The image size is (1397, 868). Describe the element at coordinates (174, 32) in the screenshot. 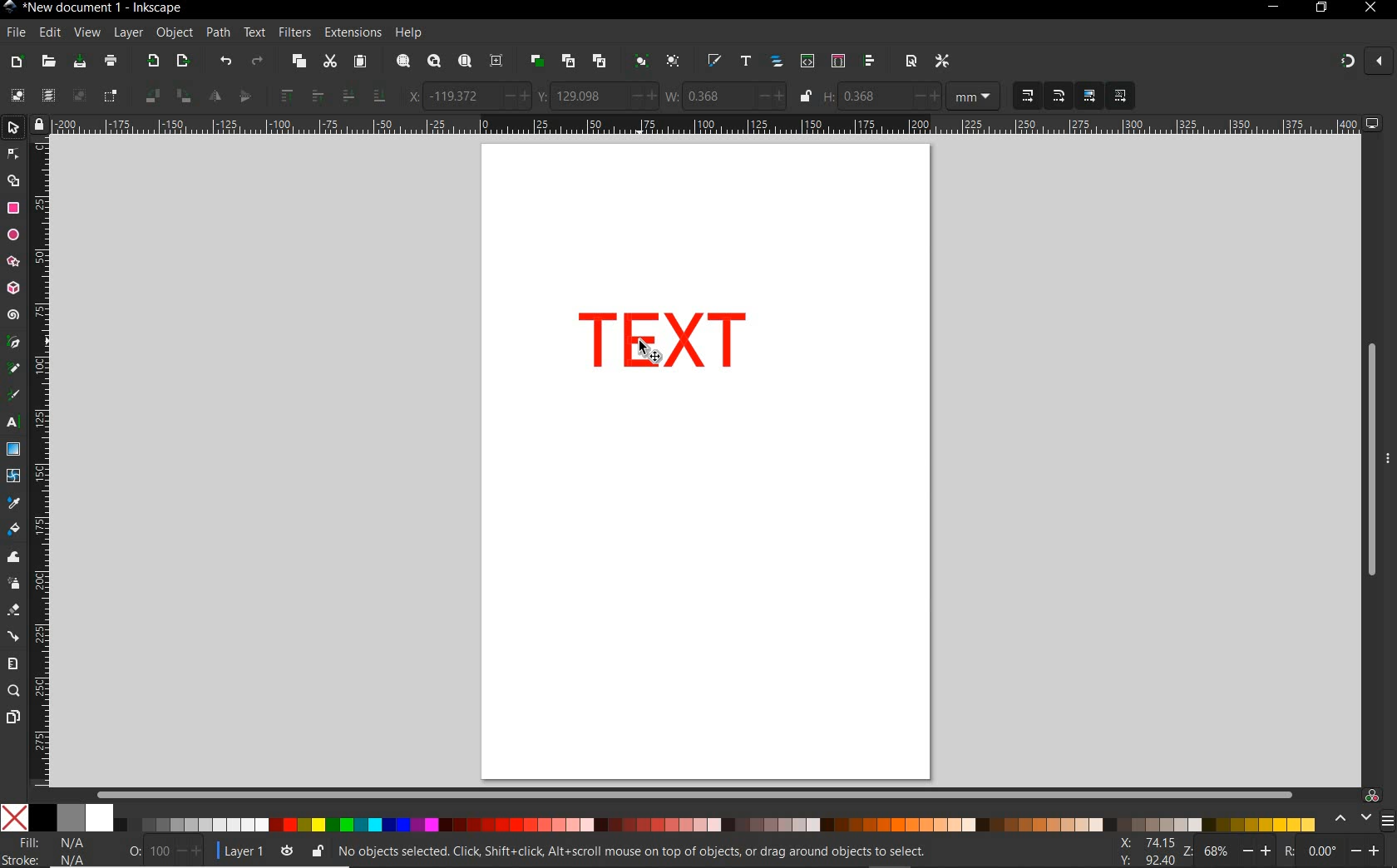

I see `OBJECT` at that location.